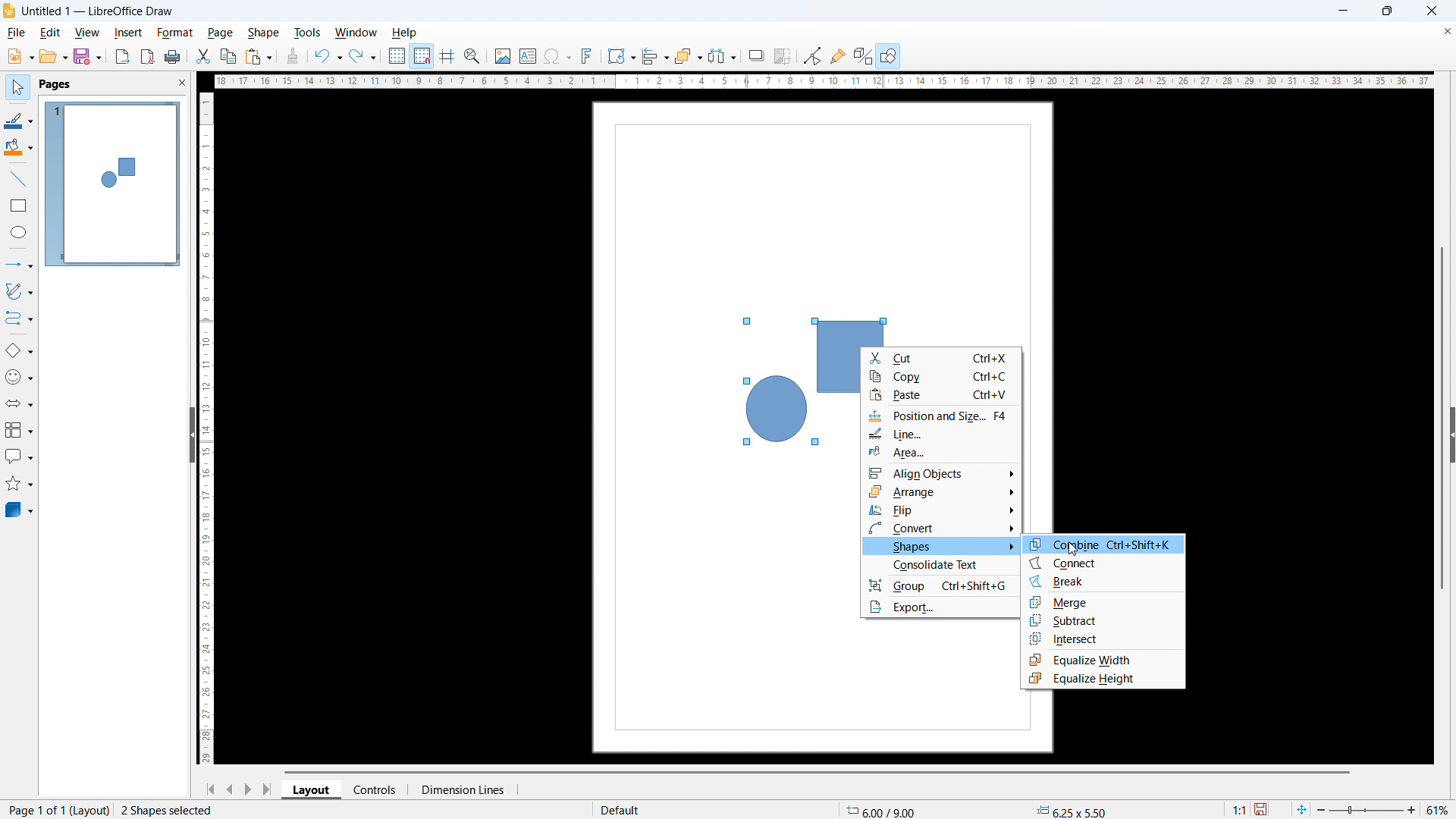 Image resolution: width=1456 pixels, height=819 pixels. I want to click on tools, so click(308, 32).